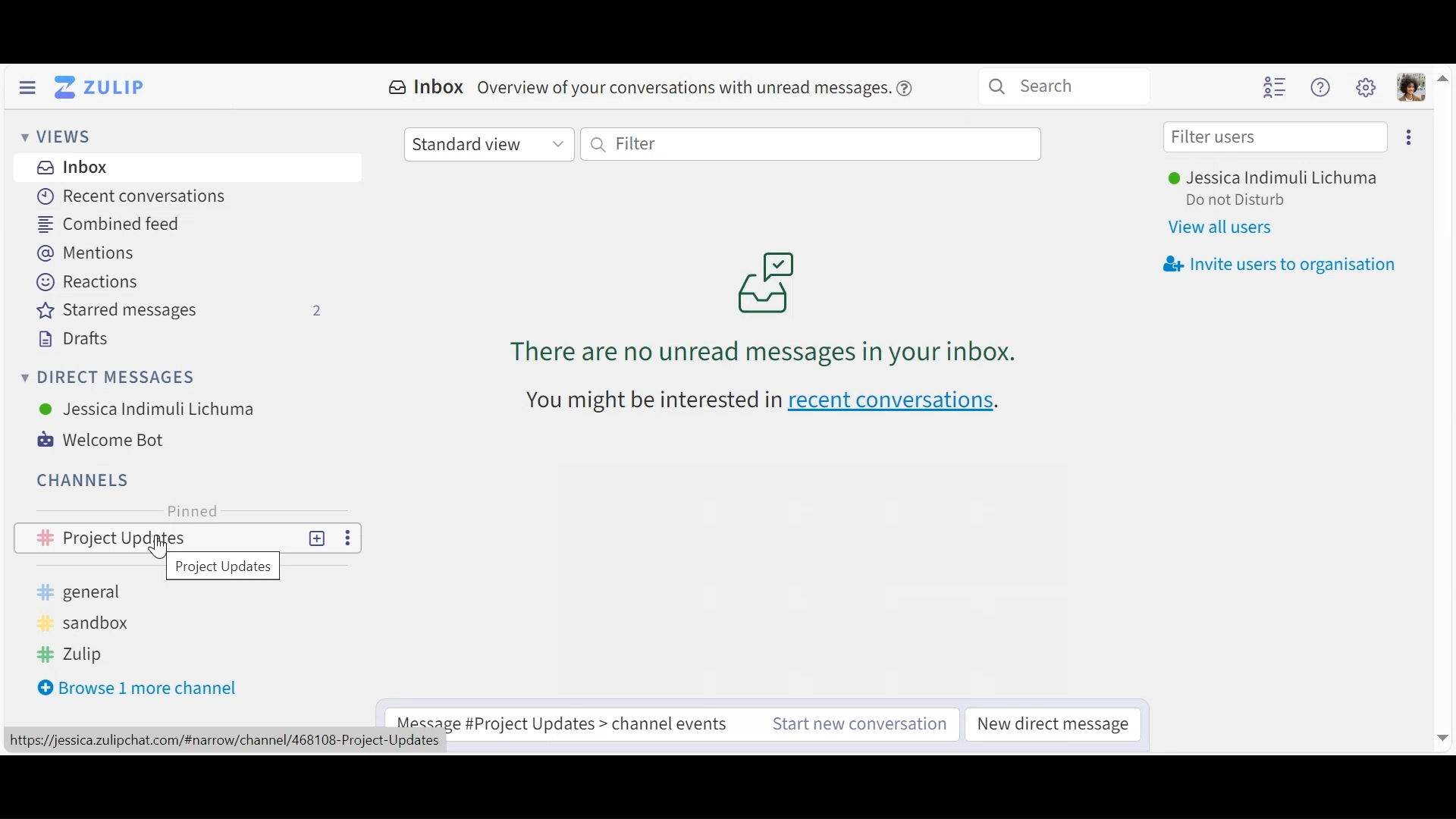 The width and height of the screenshot is (1456, 819). Describe the element at coordinates (777, 298) in the screenshot. I see `no unread messages in your inbox` at that location.